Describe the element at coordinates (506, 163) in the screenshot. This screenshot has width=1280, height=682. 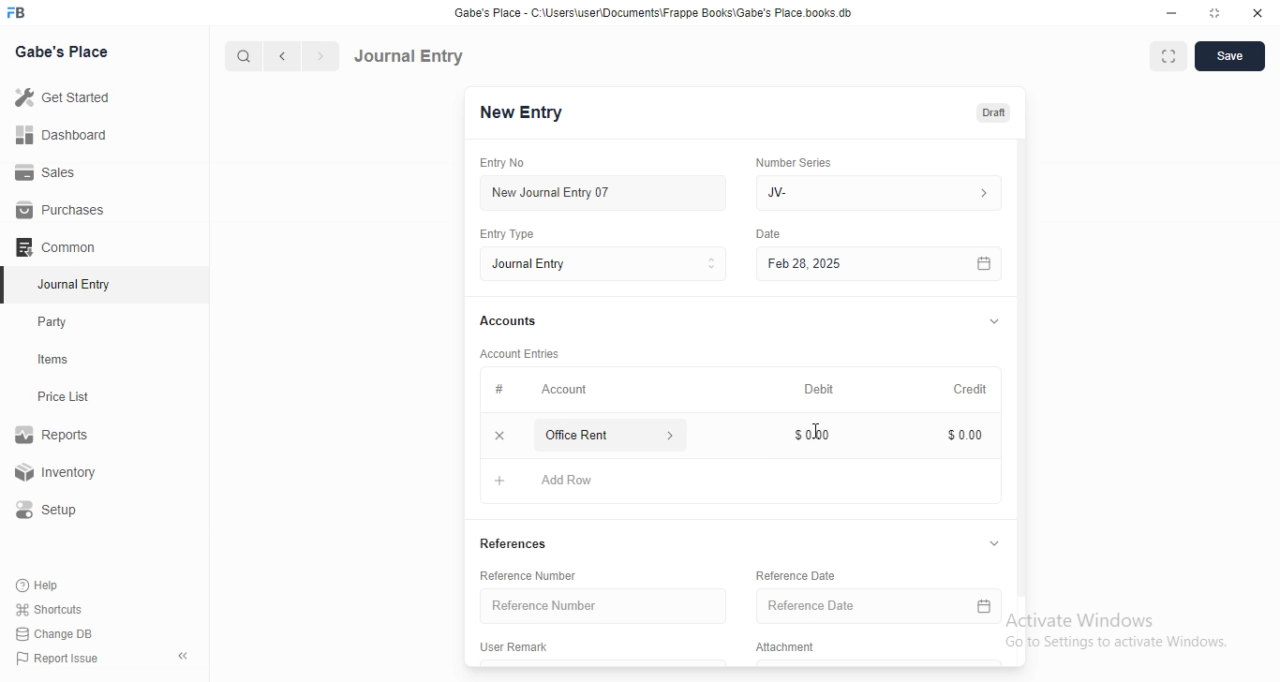
I see `Entry No` at that location.